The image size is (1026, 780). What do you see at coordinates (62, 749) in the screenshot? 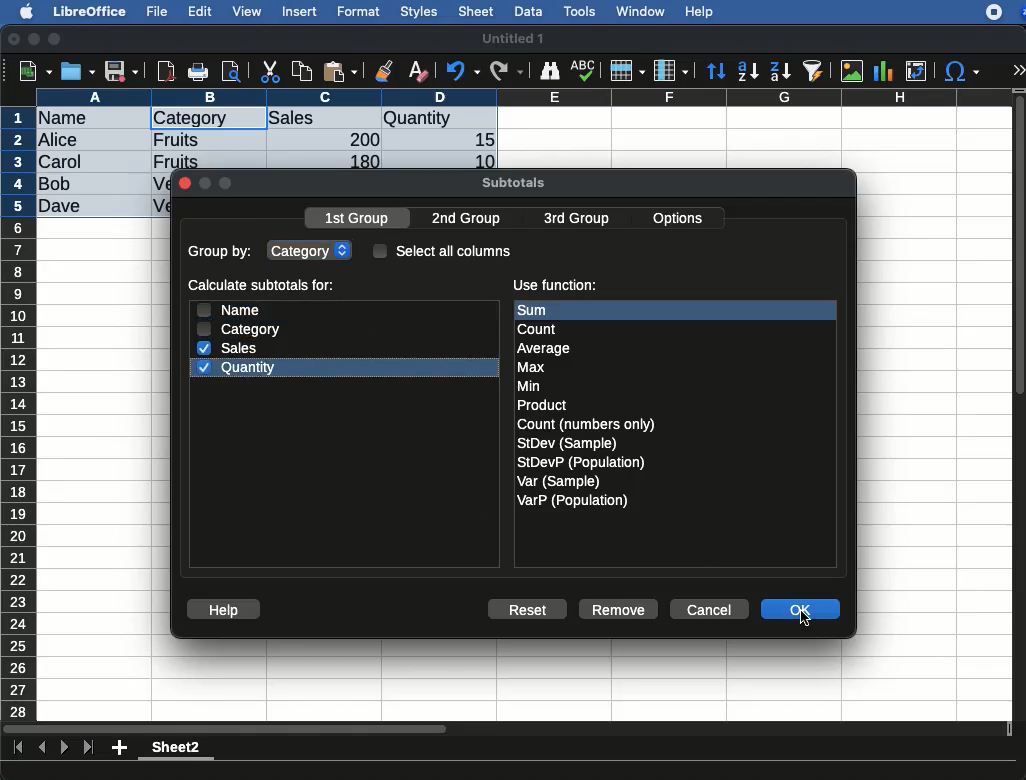
I see `next sheet` at bounding box center [62, 749].